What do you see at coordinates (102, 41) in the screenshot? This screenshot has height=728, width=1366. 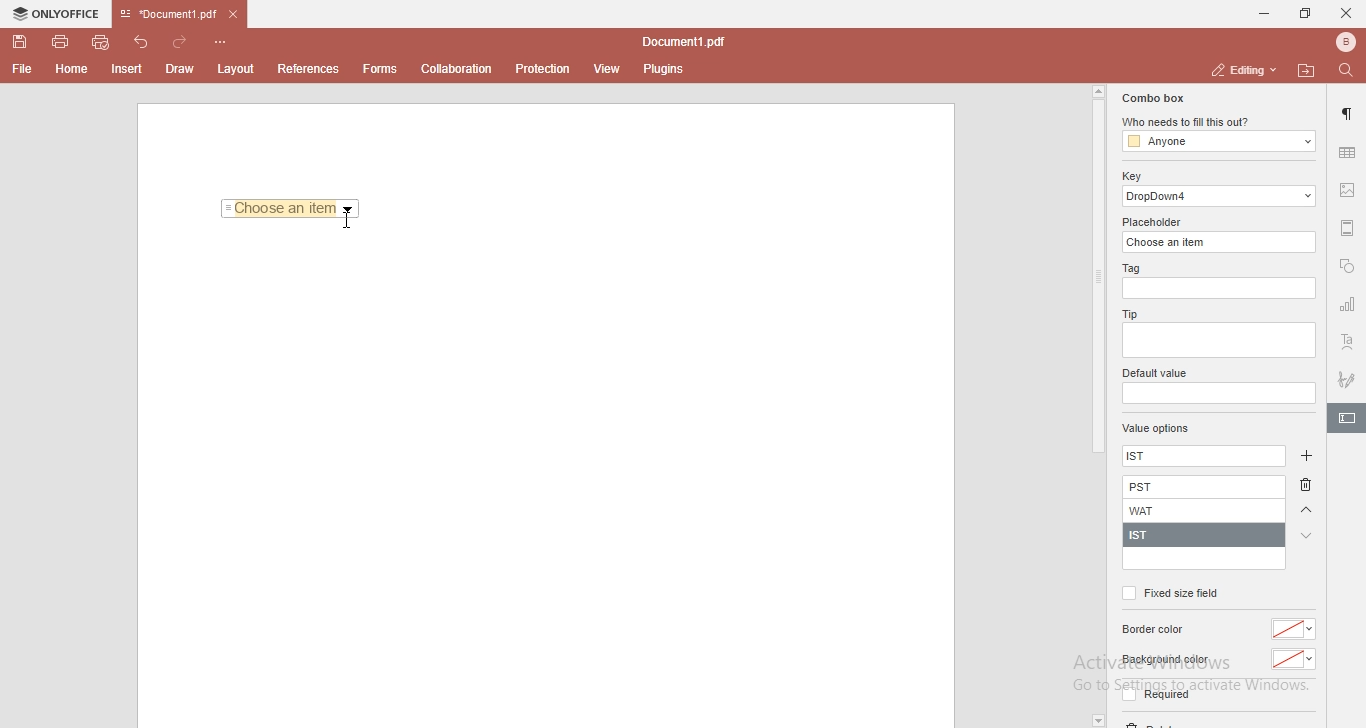 I see `quick print` at bounding box center [102, 41].